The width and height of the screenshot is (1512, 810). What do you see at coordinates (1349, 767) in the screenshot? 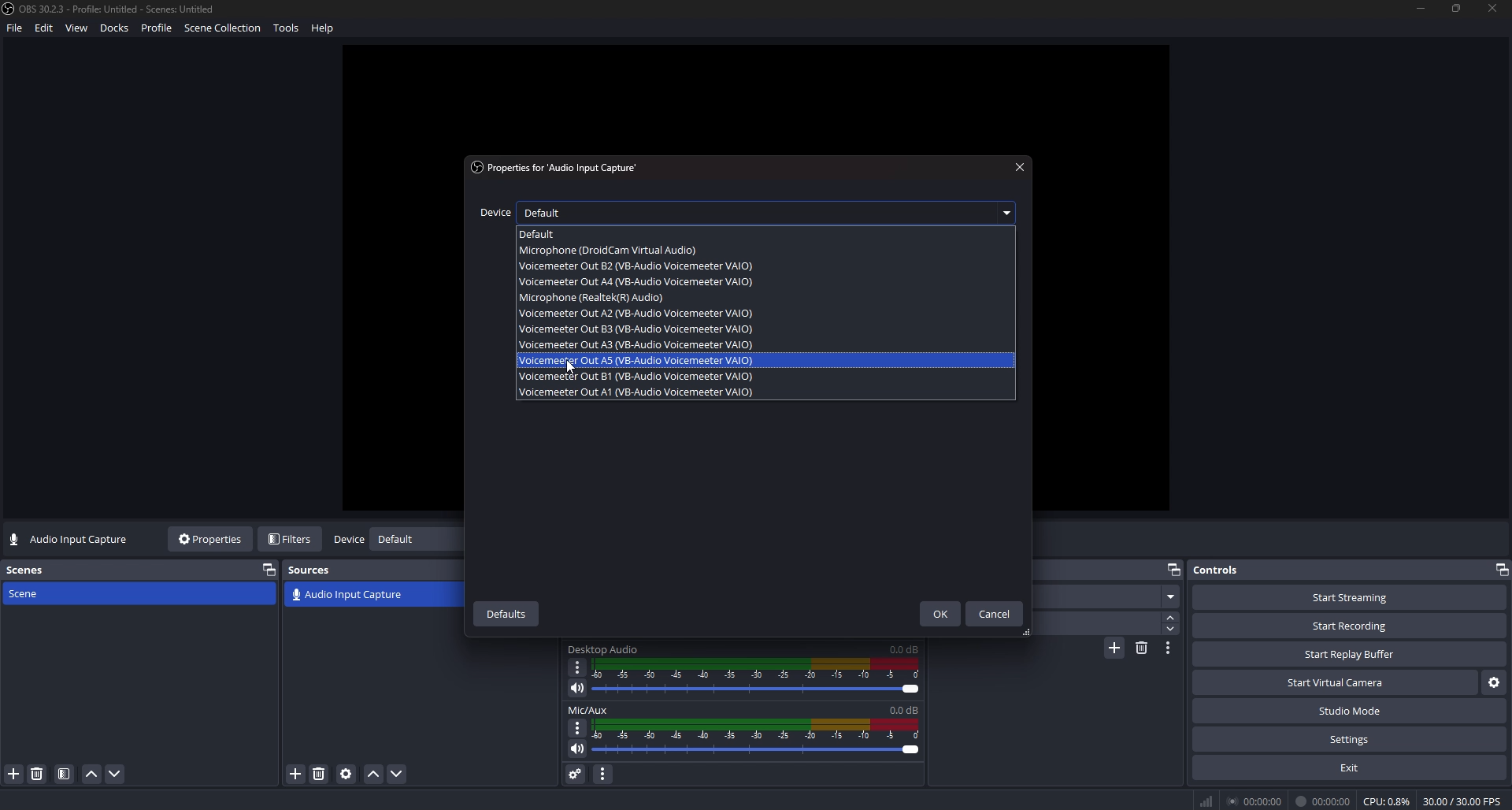
I see `exit` at bounding box center [1349, 767].